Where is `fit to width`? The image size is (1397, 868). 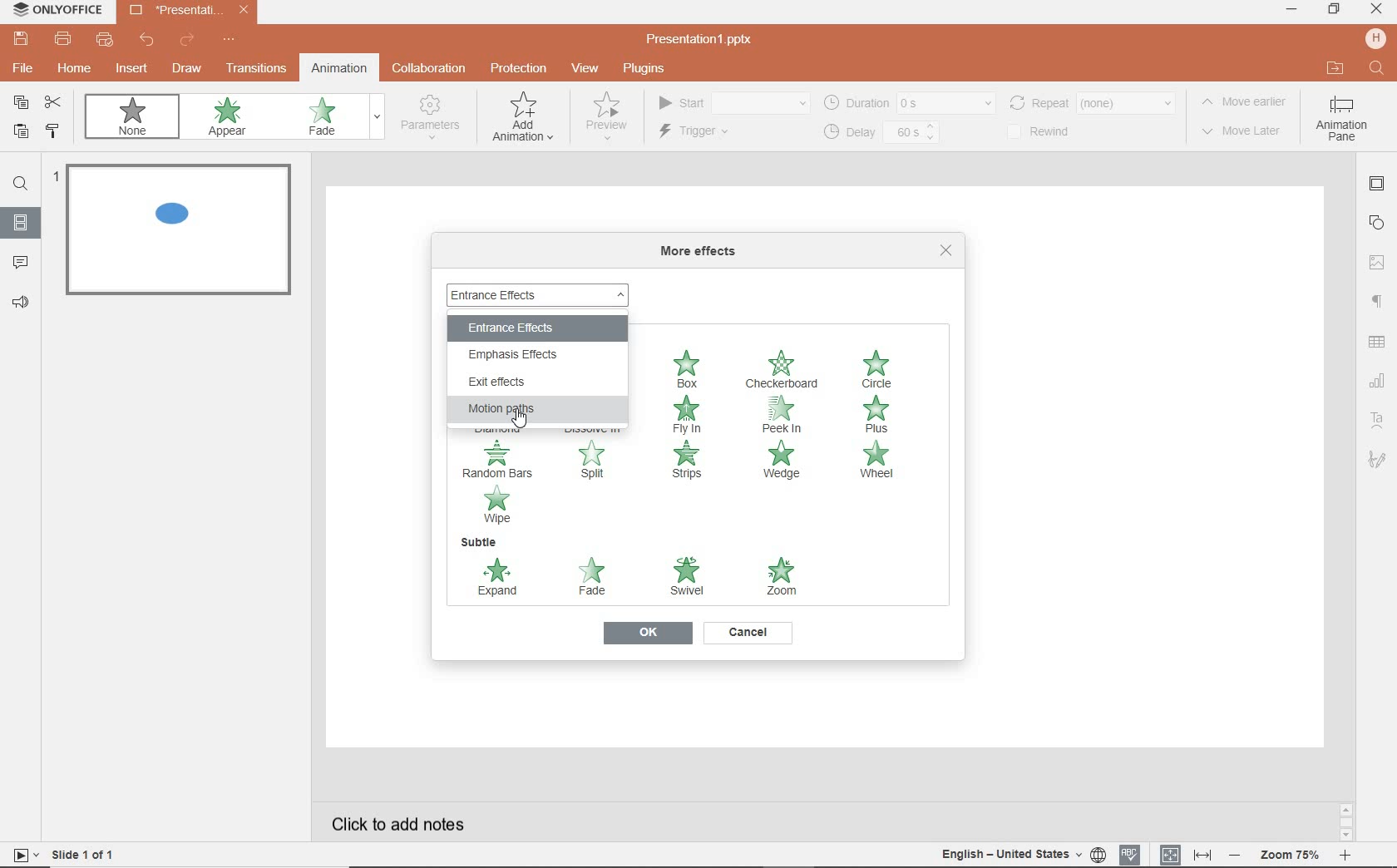 fit to width is located at coordinates (1204, 853).